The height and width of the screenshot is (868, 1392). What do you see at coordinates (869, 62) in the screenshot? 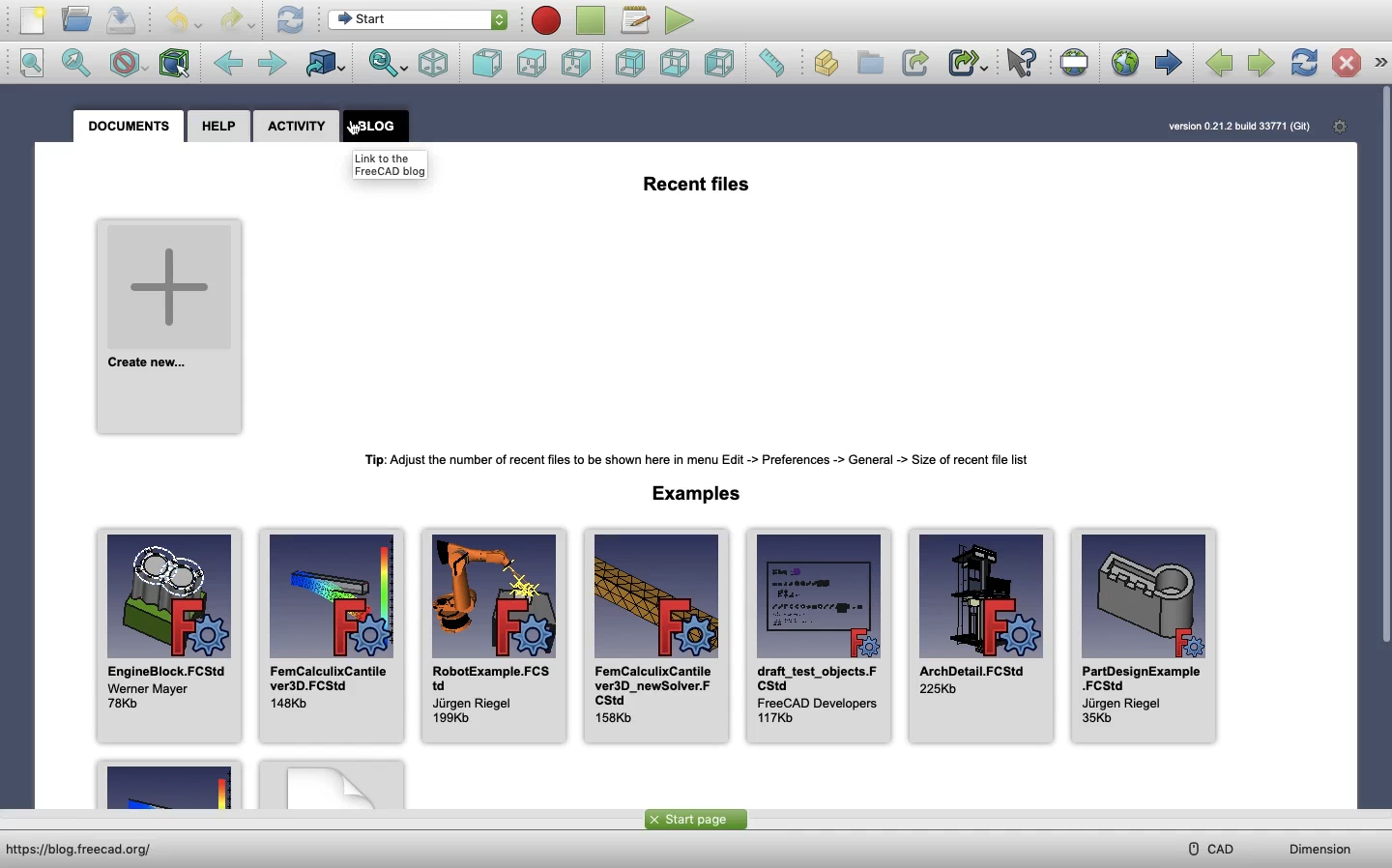
I see `Create Group` at bounding box center [869, 62].